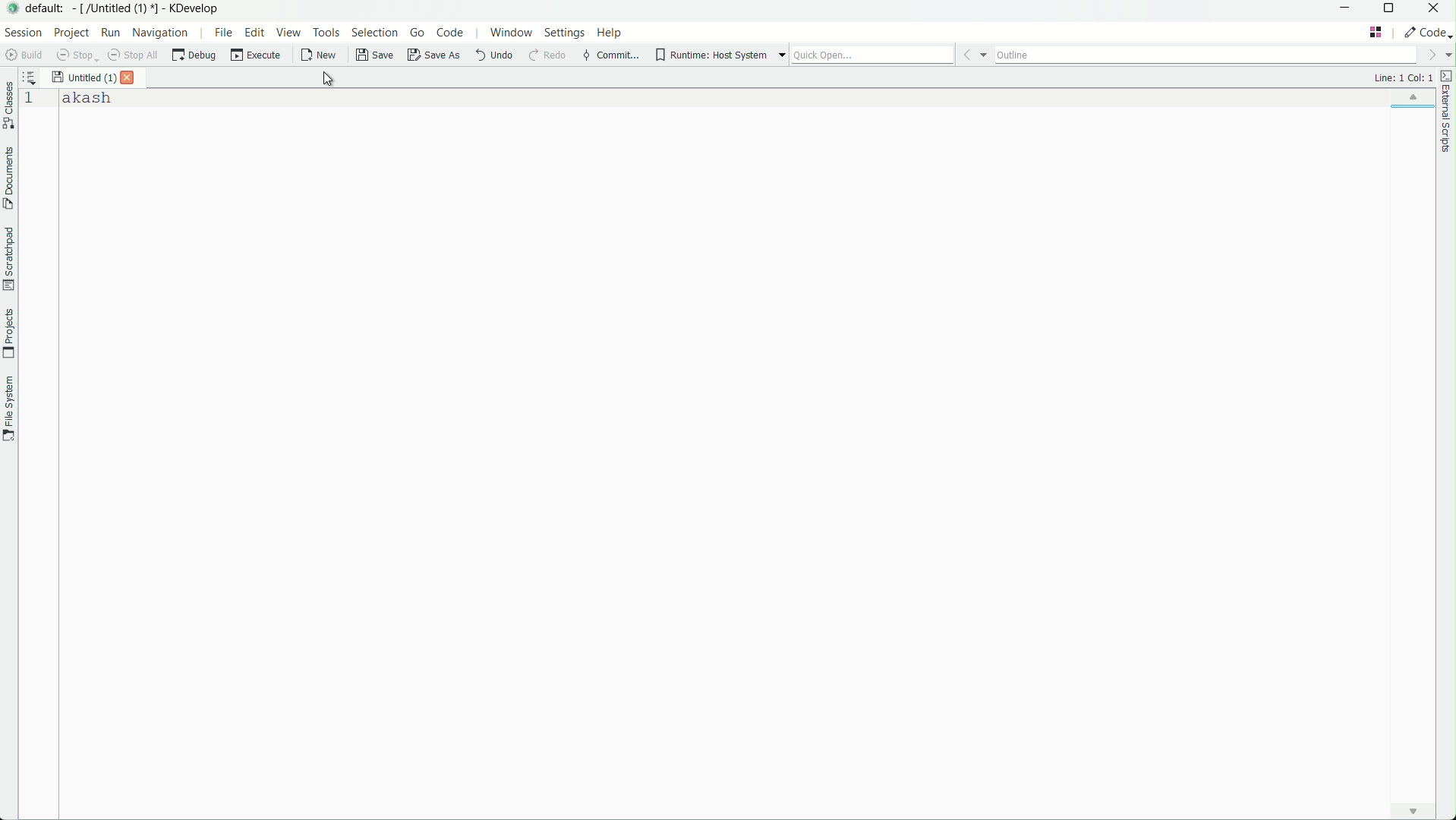 The width and height of the screenshot is (1456, 820). Describe the element at coordinates (23, 55) in the screenshot. I see `build` at that location.